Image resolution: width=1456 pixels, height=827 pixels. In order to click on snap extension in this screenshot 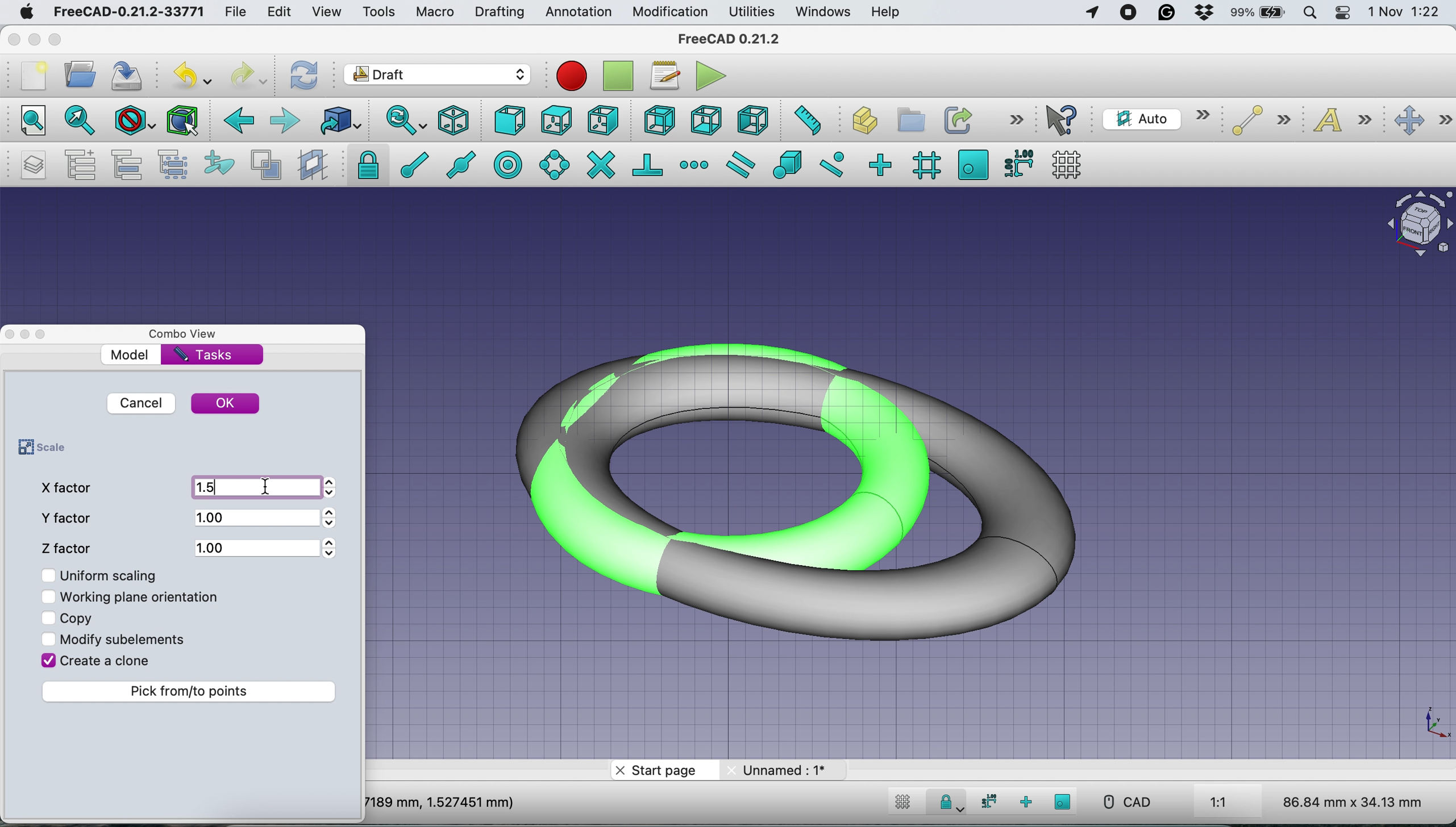, I will do `click(694, 164)`.